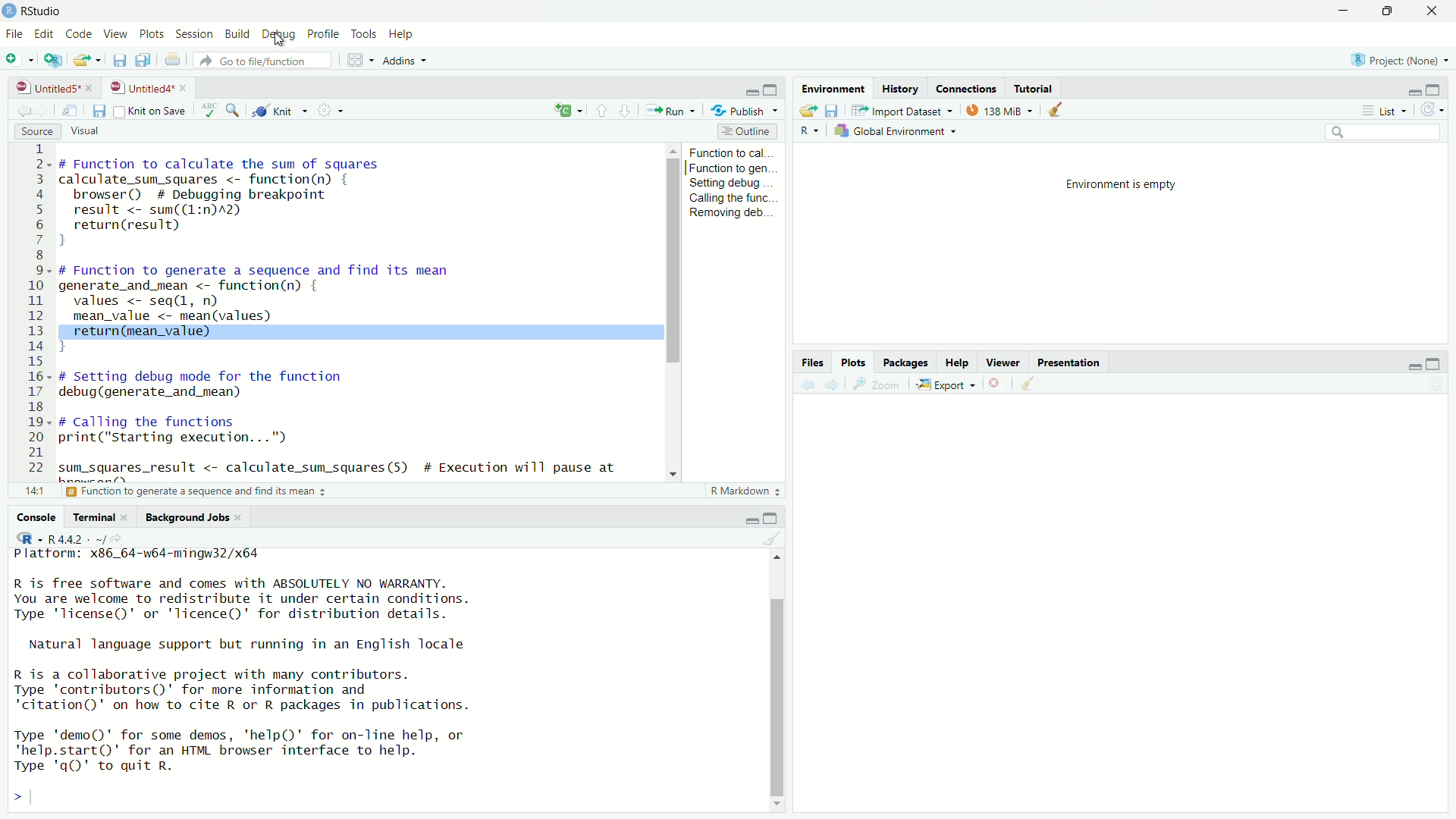  I want to click on Natural language support but running in an English locale, so click(244, 643).